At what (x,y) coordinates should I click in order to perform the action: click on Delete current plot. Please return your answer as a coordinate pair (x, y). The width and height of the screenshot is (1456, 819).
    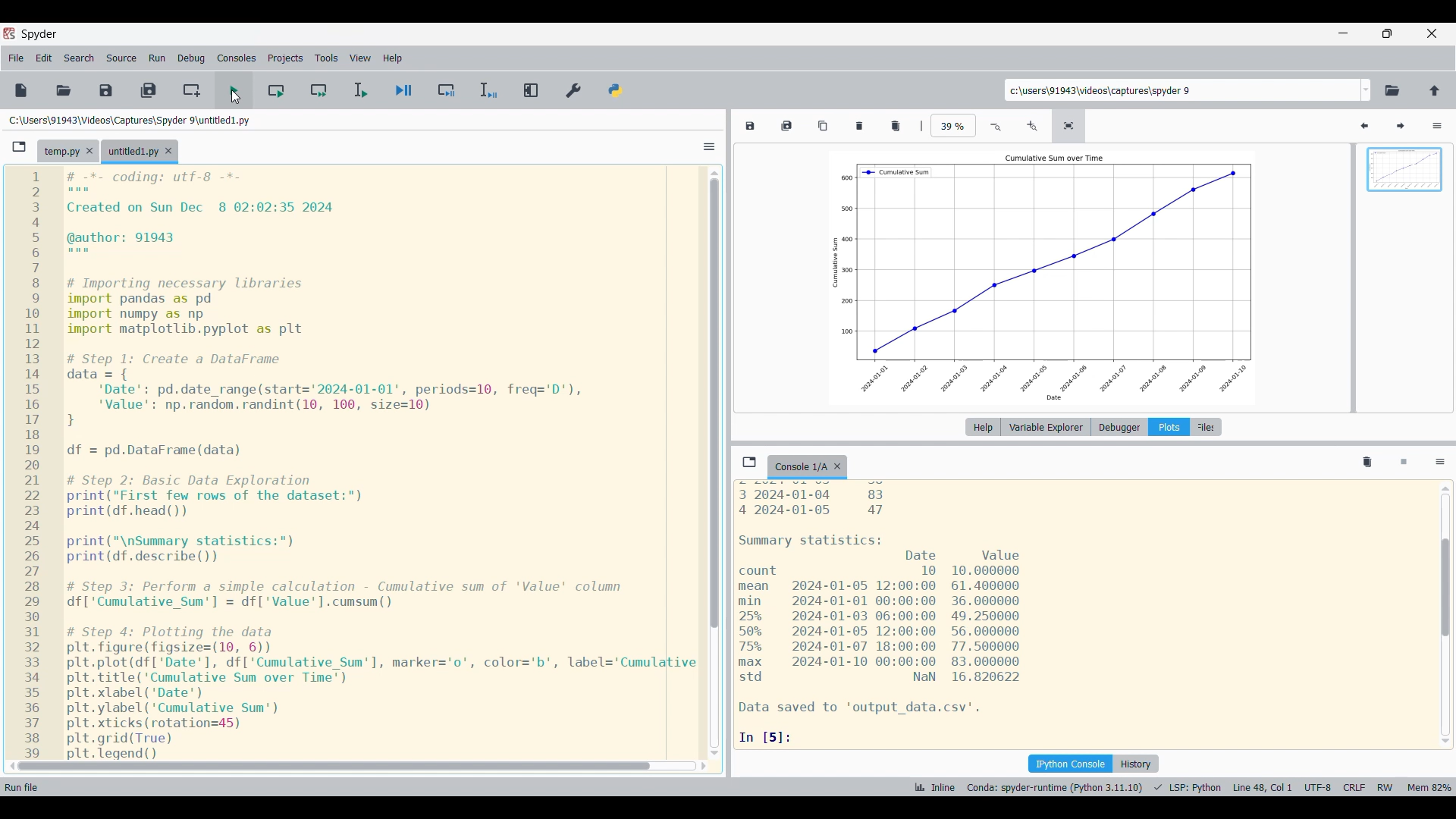
    Looking at the image, I should click on (859, 126).